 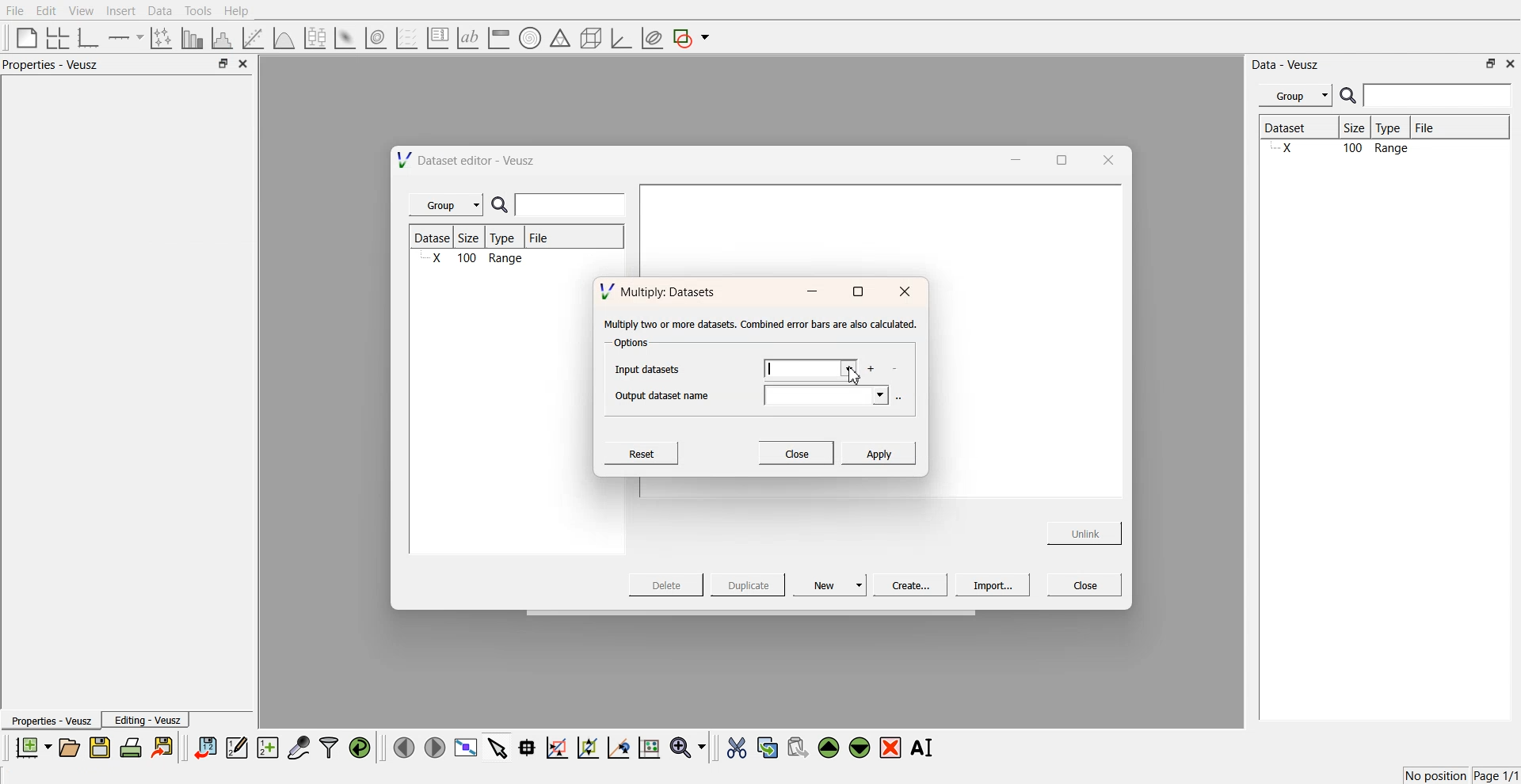 What do you see at coordinates (404, 747) in the screenshot?
I see `move left` at bounding box center [404, 747].